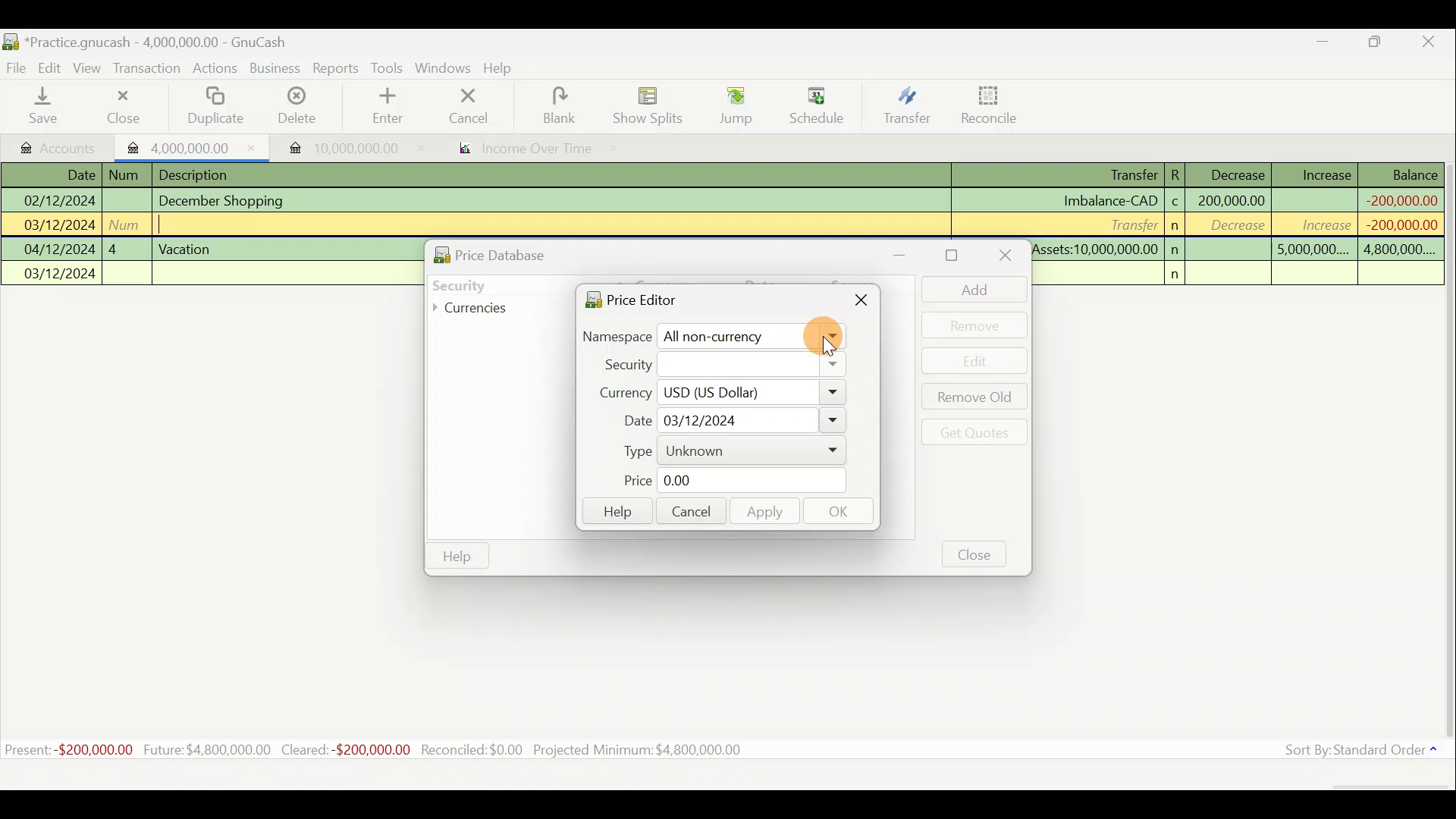  I want to click on Apply, so click(765, 513).